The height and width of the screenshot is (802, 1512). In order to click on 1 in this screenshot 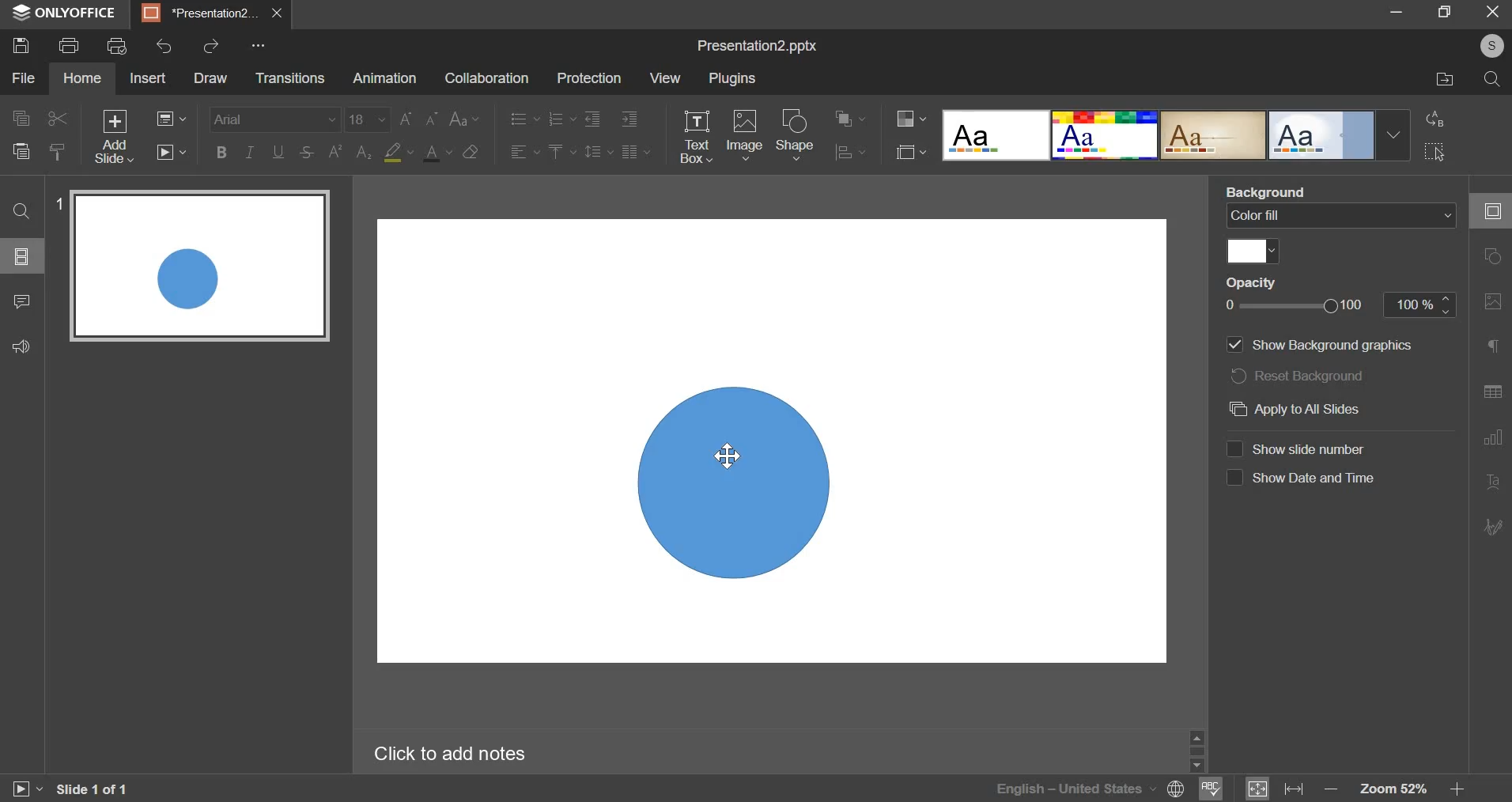, I will do `click(59, 202)`.